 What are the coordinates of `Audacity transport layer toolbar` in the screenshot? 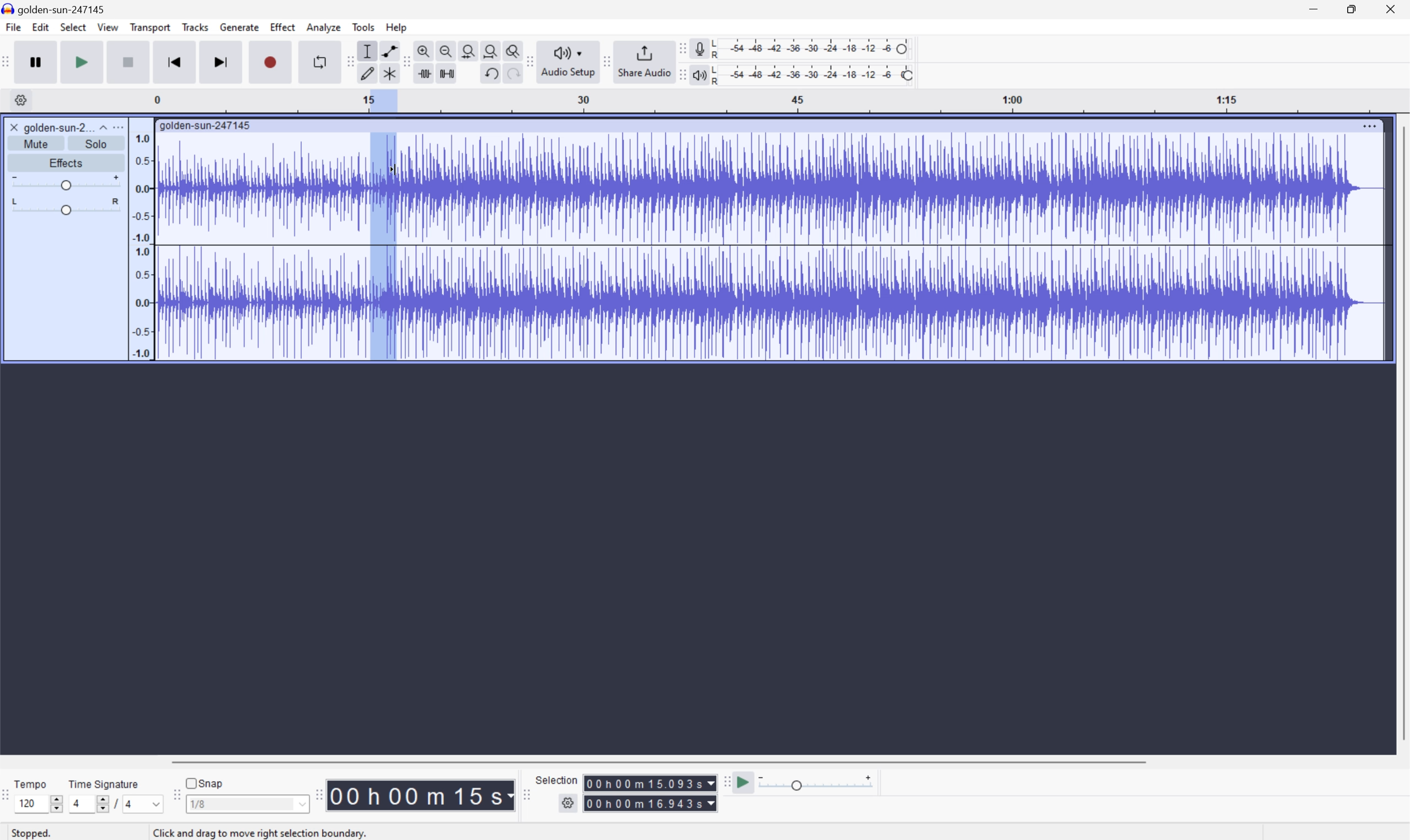 It's located at (6, 62).